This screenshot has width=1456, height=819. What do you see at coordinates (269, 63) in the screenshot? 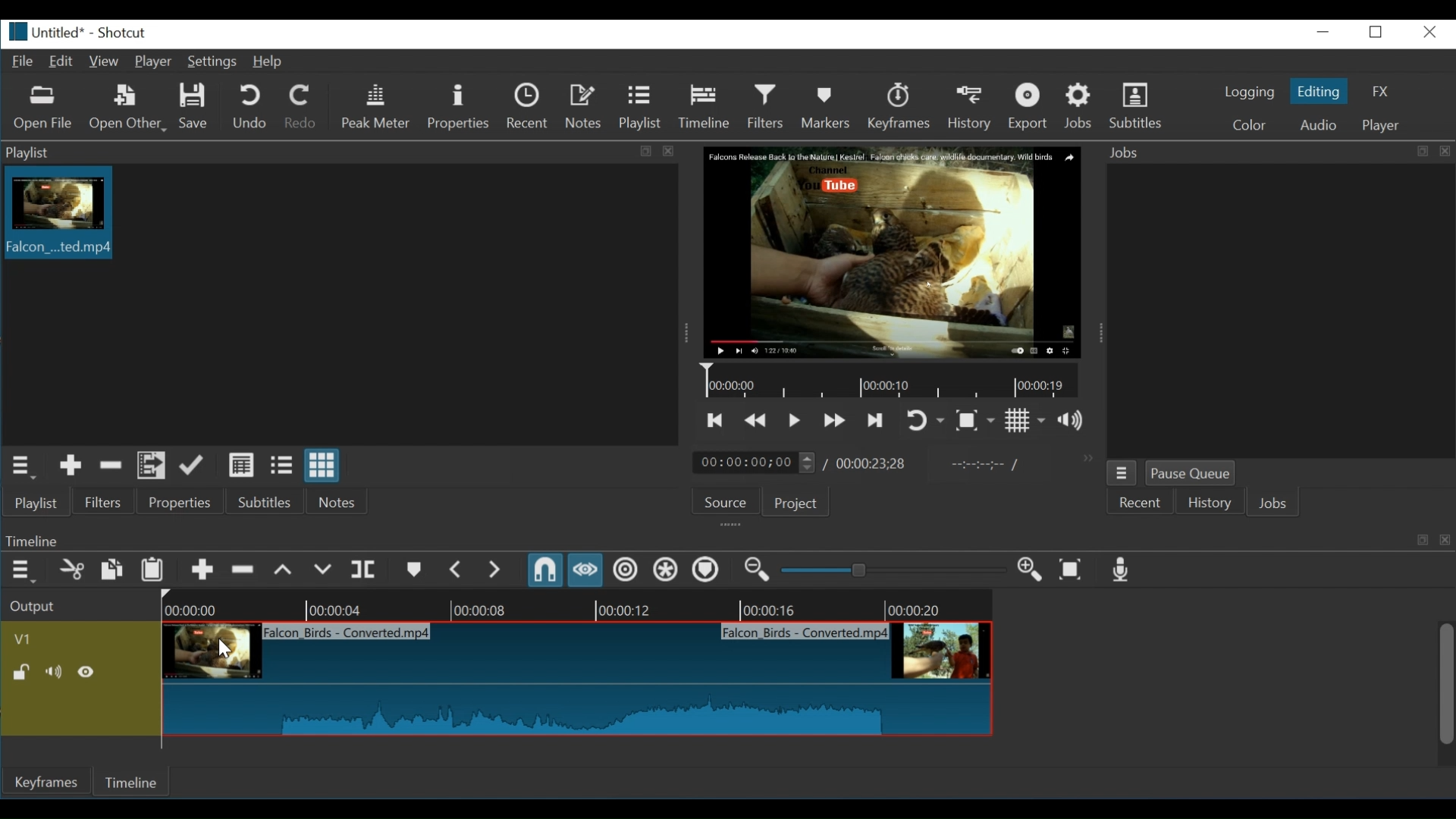
I see `Help` at bounding box center [269, 63].